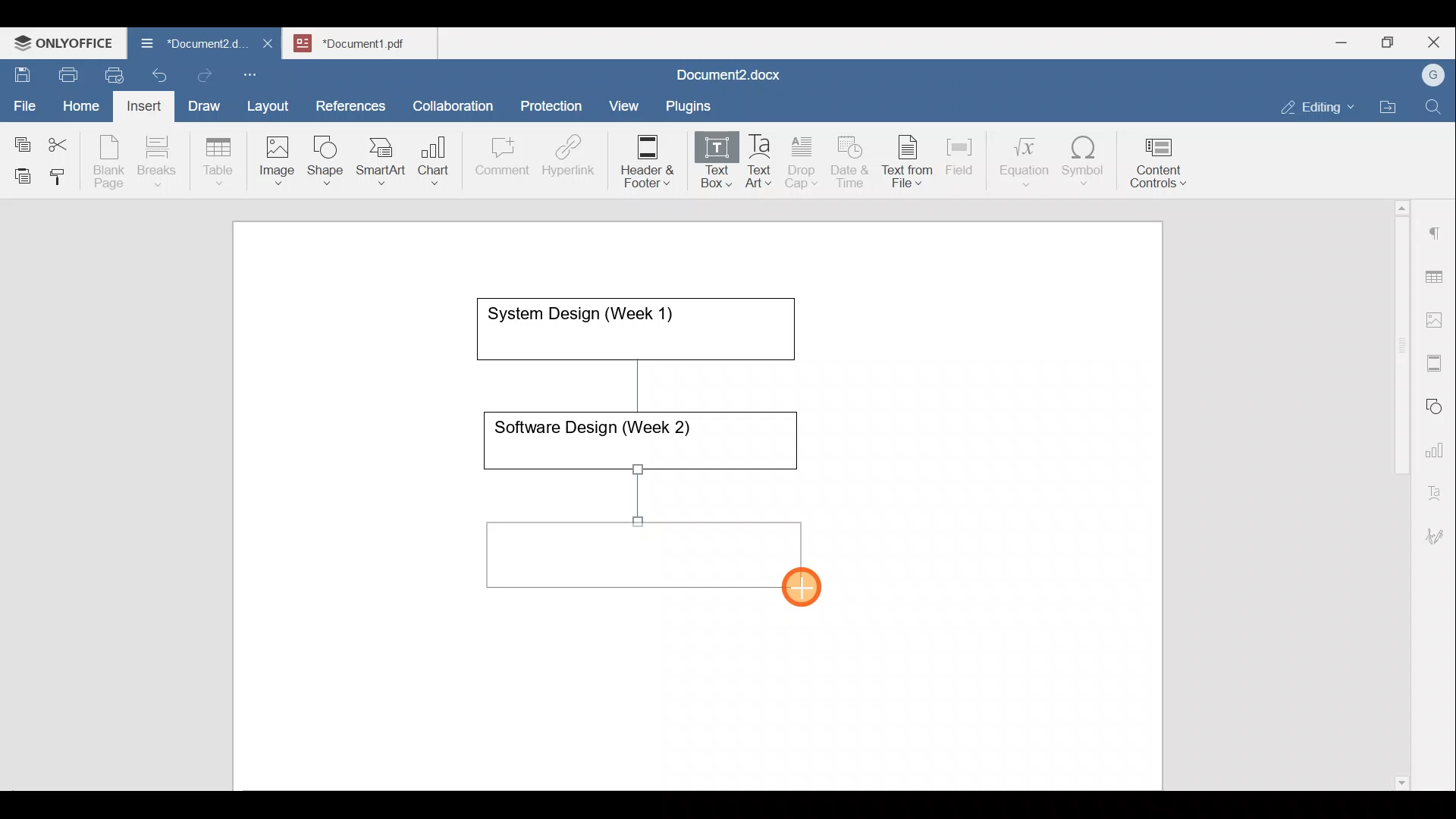 Image resolution: width=1456 pixels, height=819 pixels. Describe the element at coordinates (625, 101) in the screenshot. I see `View` at that location.